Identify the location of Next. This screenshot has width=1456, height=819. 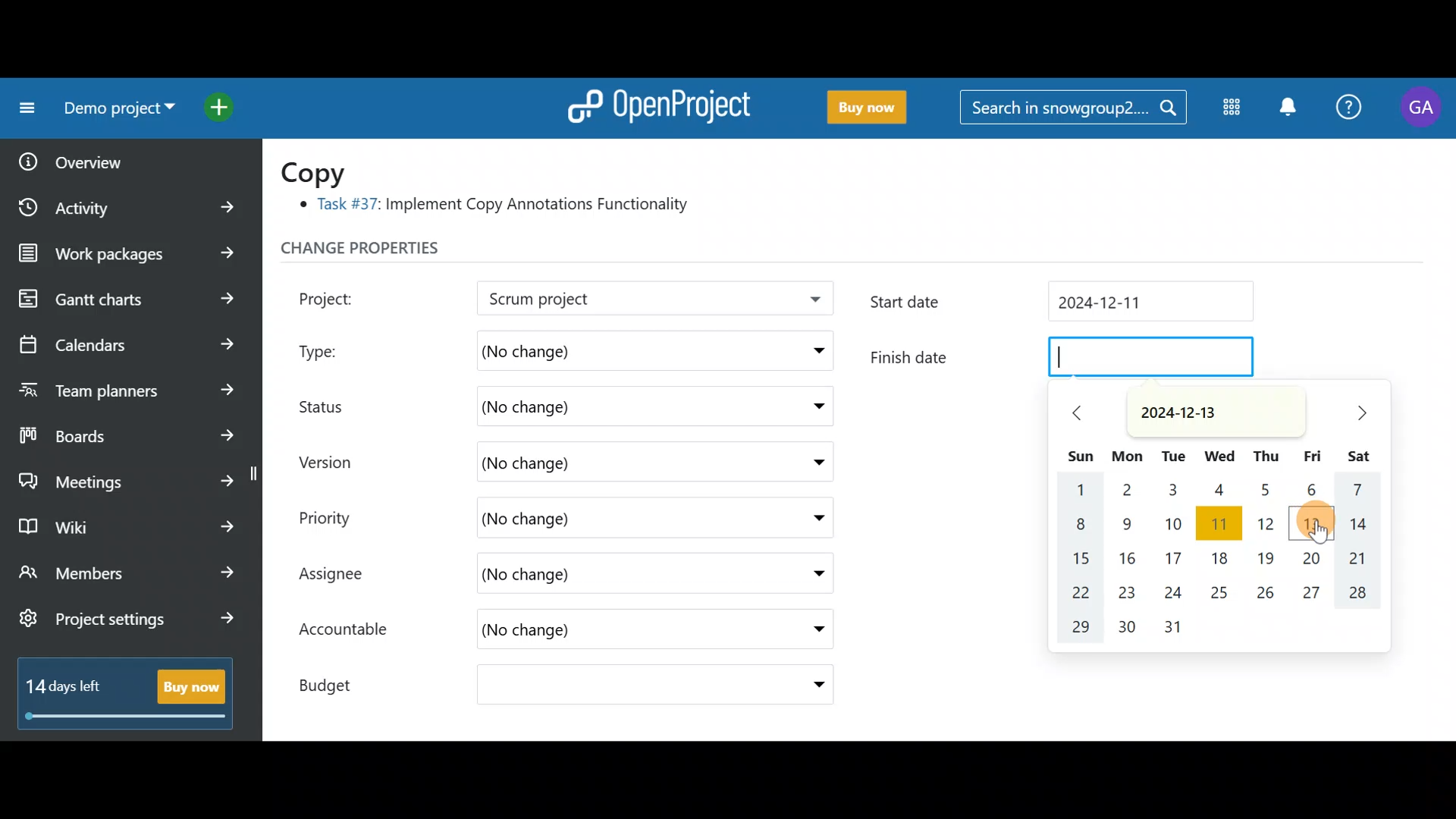
(1352, 413).